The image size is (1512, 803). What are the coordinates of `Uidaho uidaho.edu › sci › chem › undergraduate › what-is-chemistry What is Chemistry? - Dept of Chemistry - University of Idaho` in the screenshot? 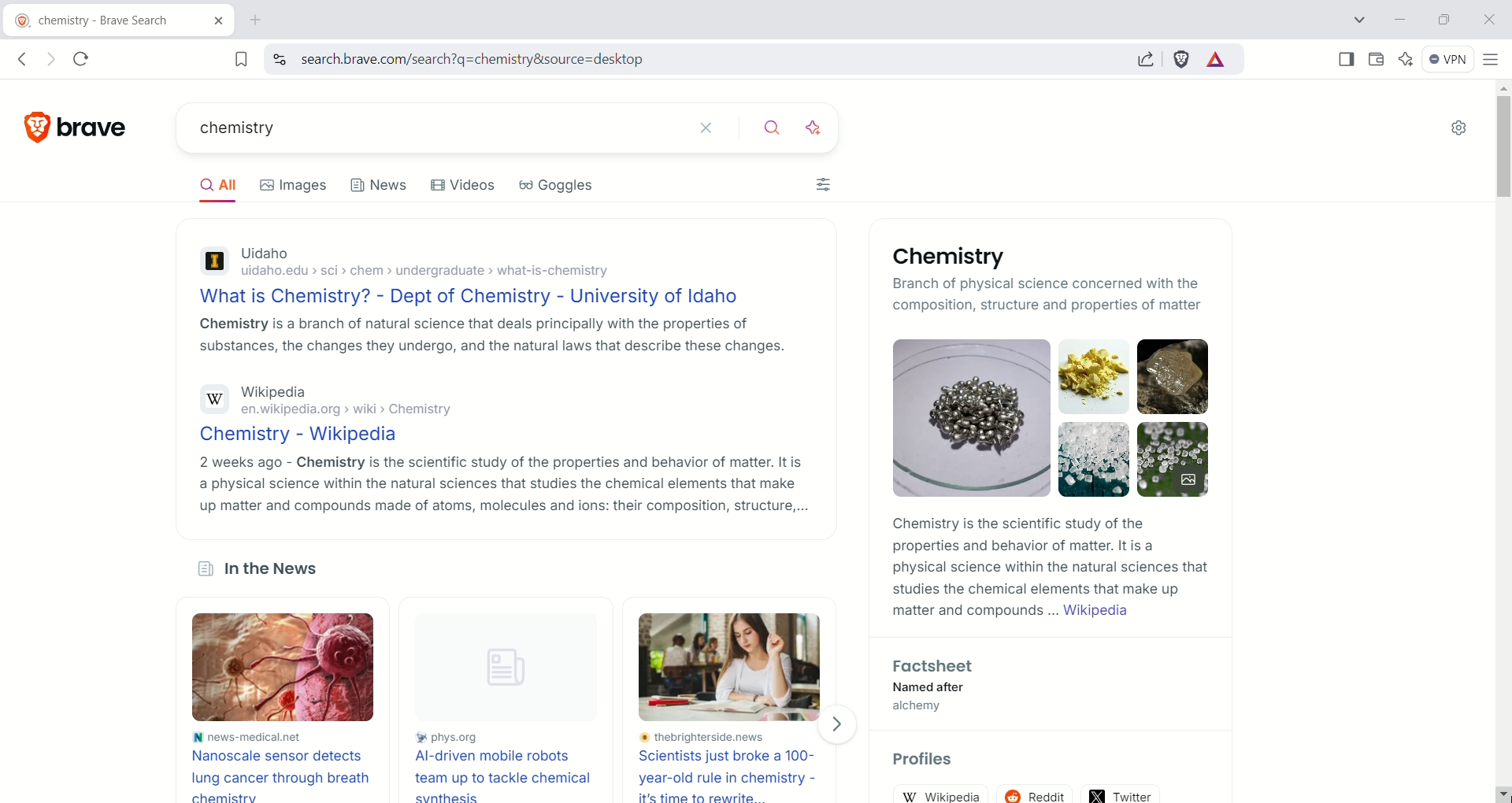 It's located at (474, 274).